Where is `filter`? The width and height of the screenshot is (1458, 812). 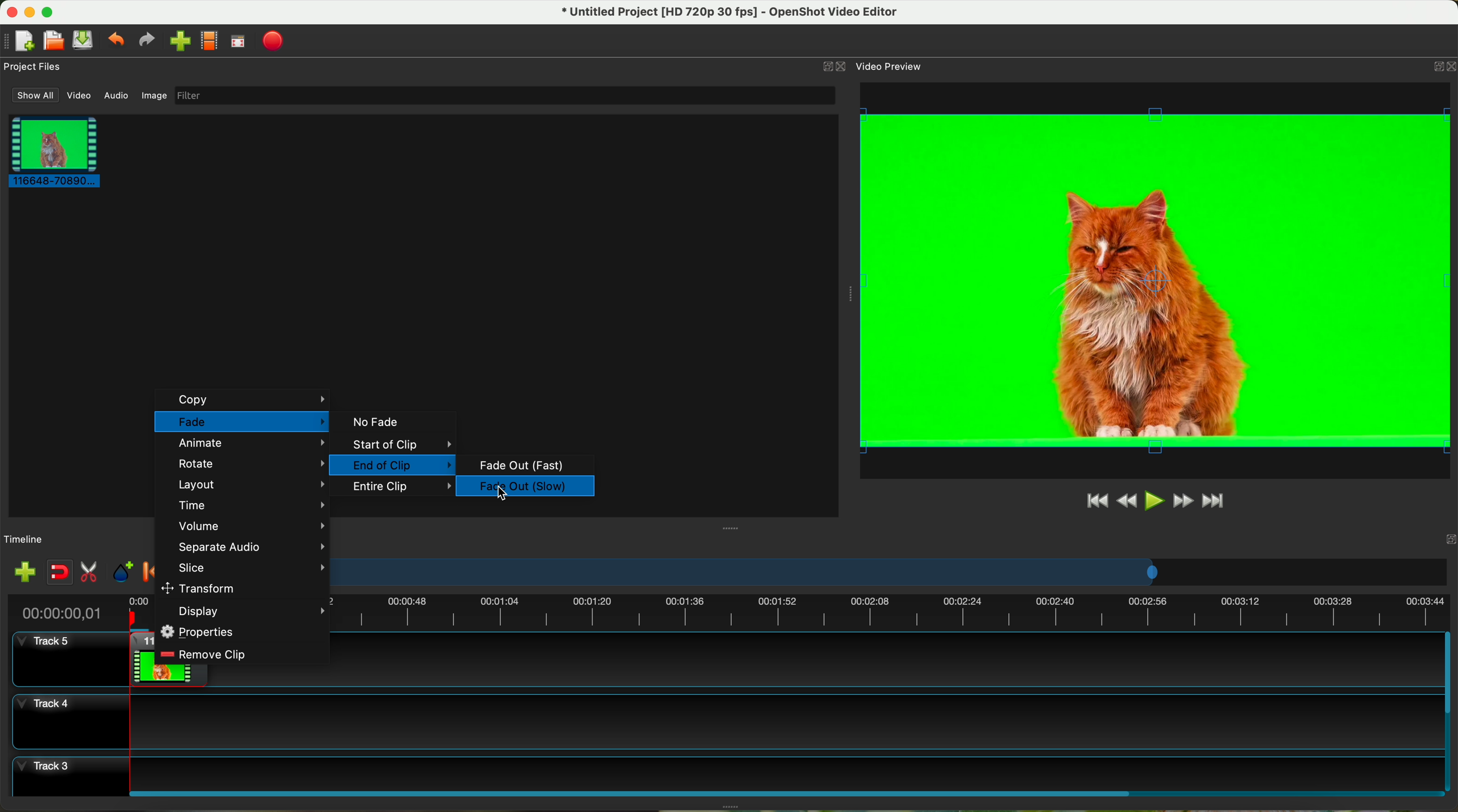 filter is located at coordinates (504, 95).